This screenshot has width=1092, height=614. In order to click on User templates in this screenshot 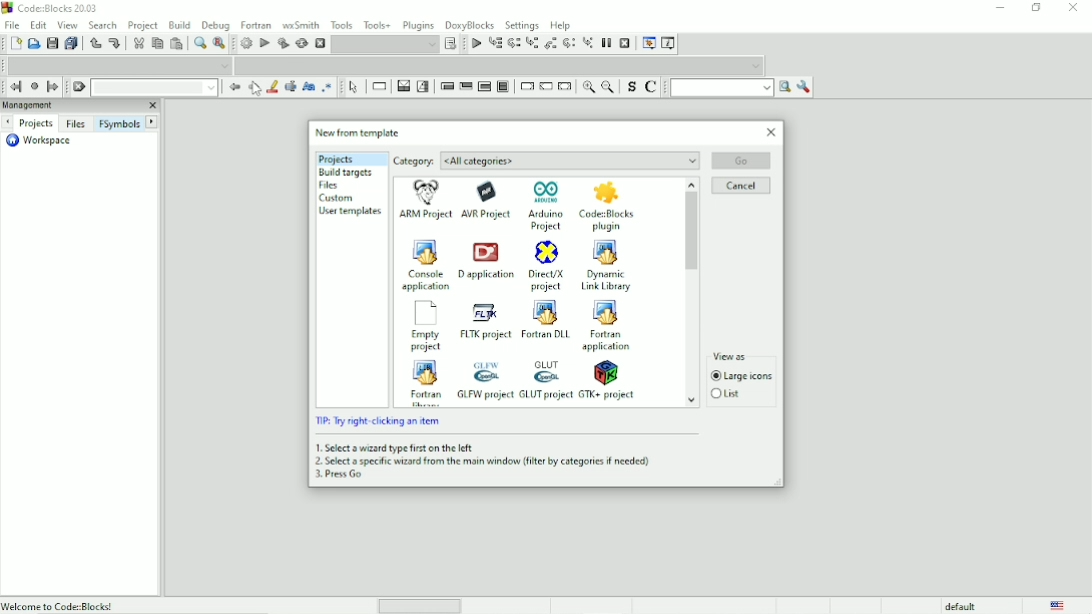, I will do `click(351, 212)`.